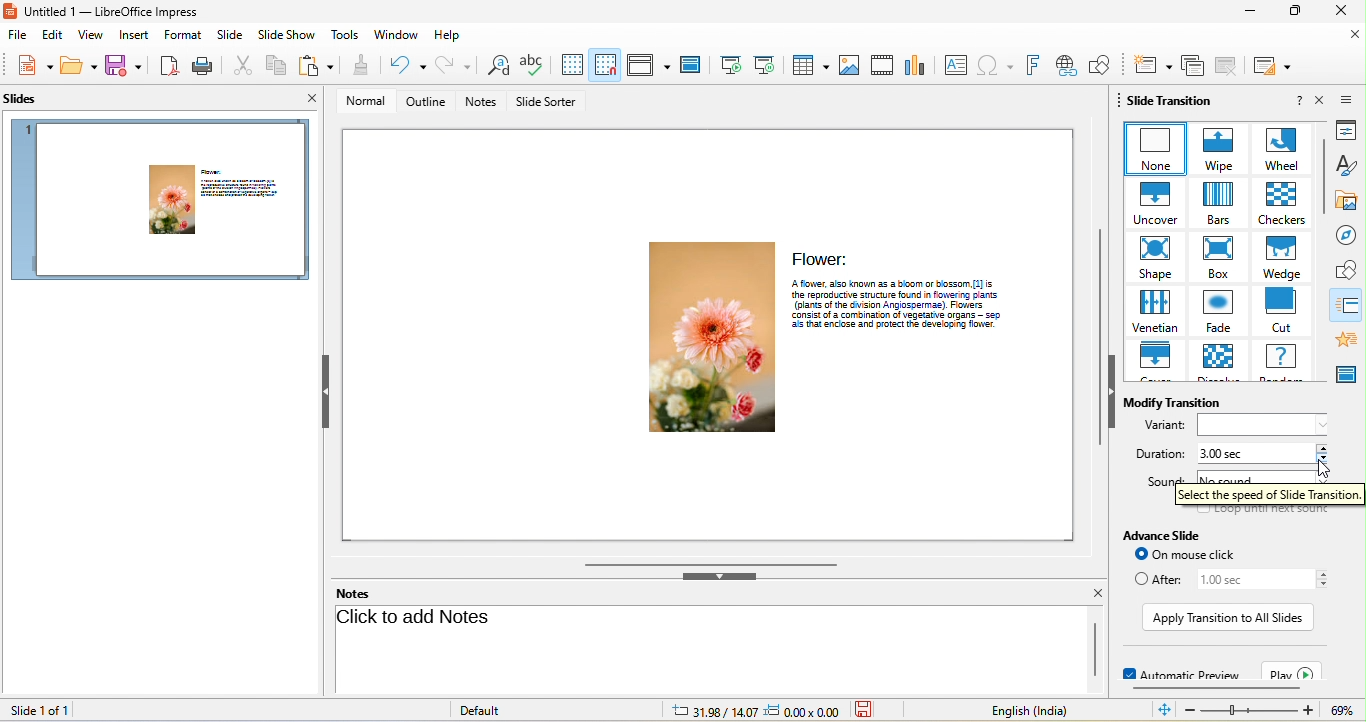 This screenshot has width=1366, height=722. What do you see at coordinates (906, 293) in the screenshot?
I see `the reproductive structure found n flowenng plants` at bounding box center [906, 293].